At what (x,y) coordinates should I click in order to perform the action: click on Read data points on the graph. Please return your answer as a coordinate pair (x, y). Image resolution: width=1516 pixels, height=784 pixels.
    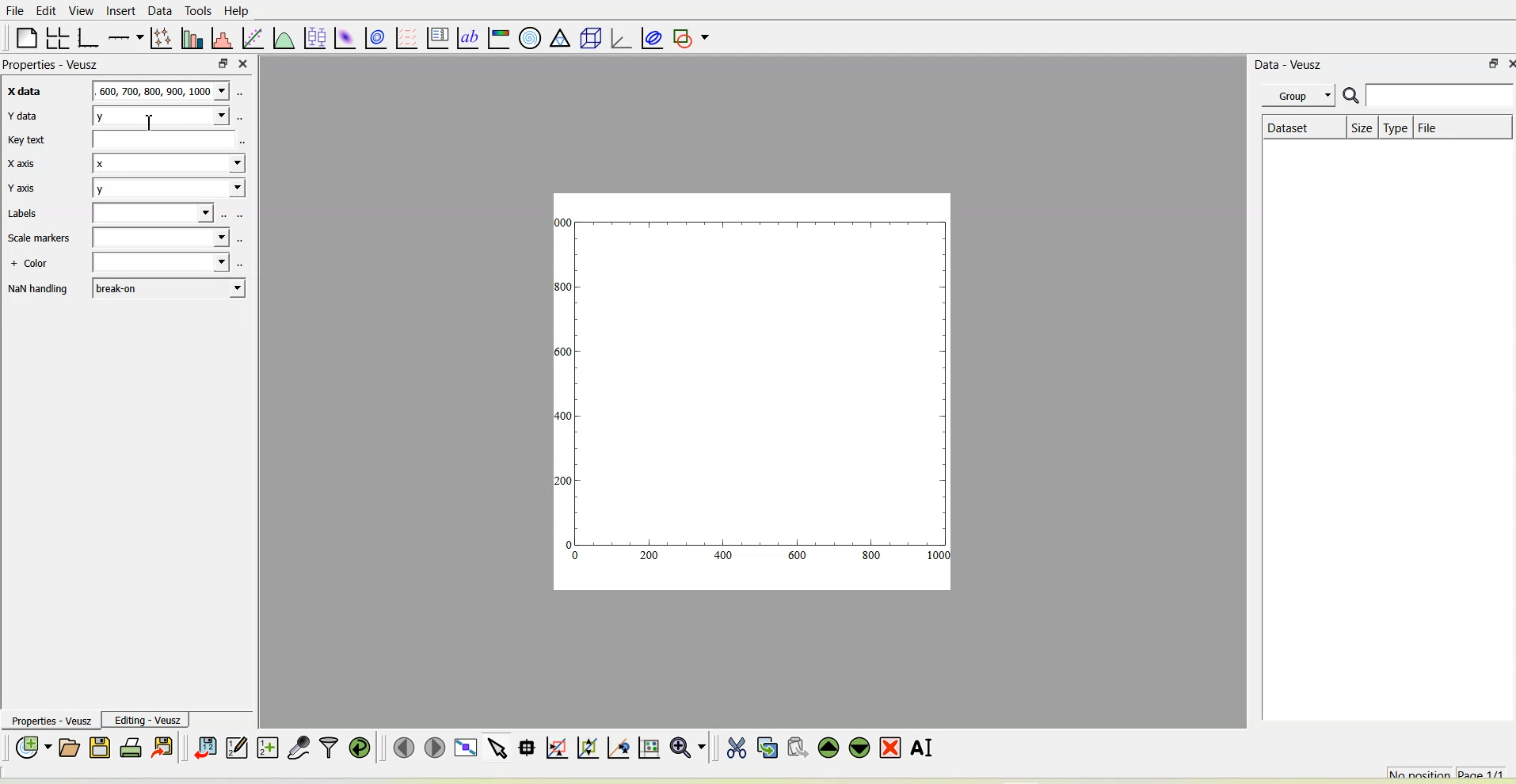
    Looking at the image, I should click on (526, 748).